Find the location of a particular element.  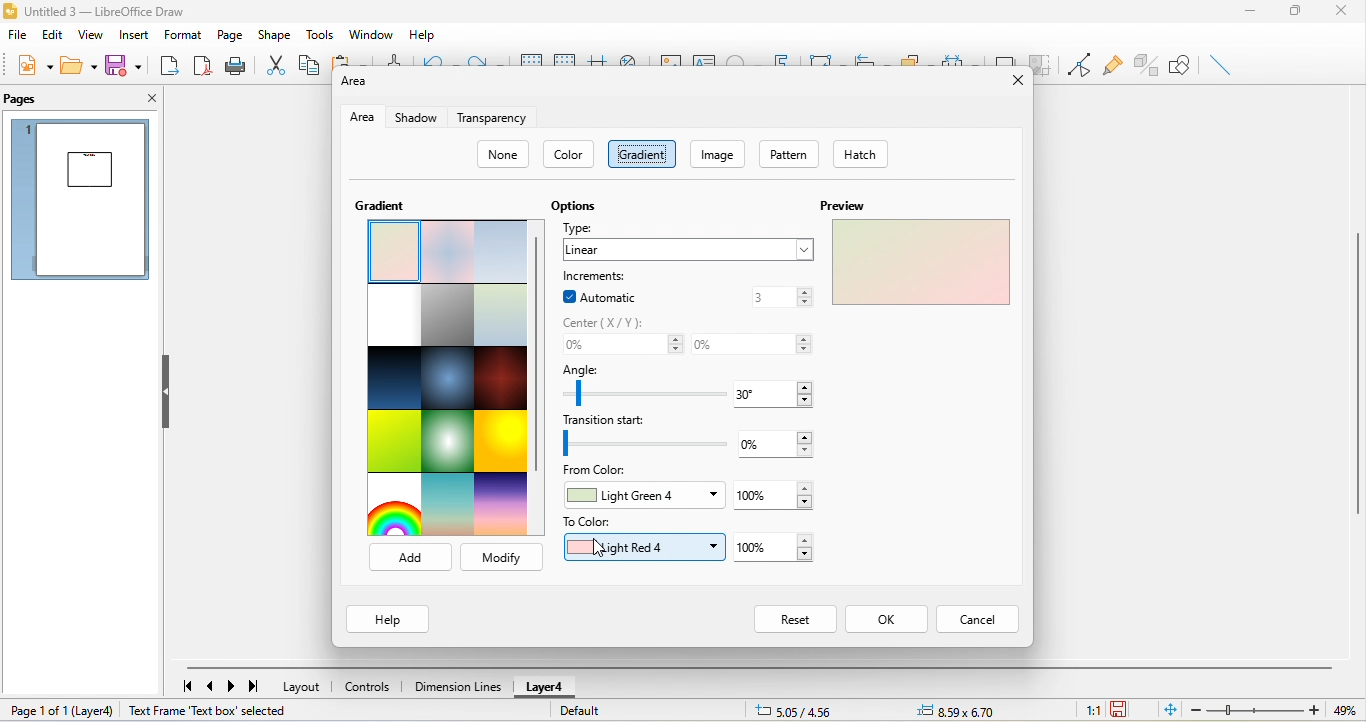

shadow is located at coordinates (1006, 55).